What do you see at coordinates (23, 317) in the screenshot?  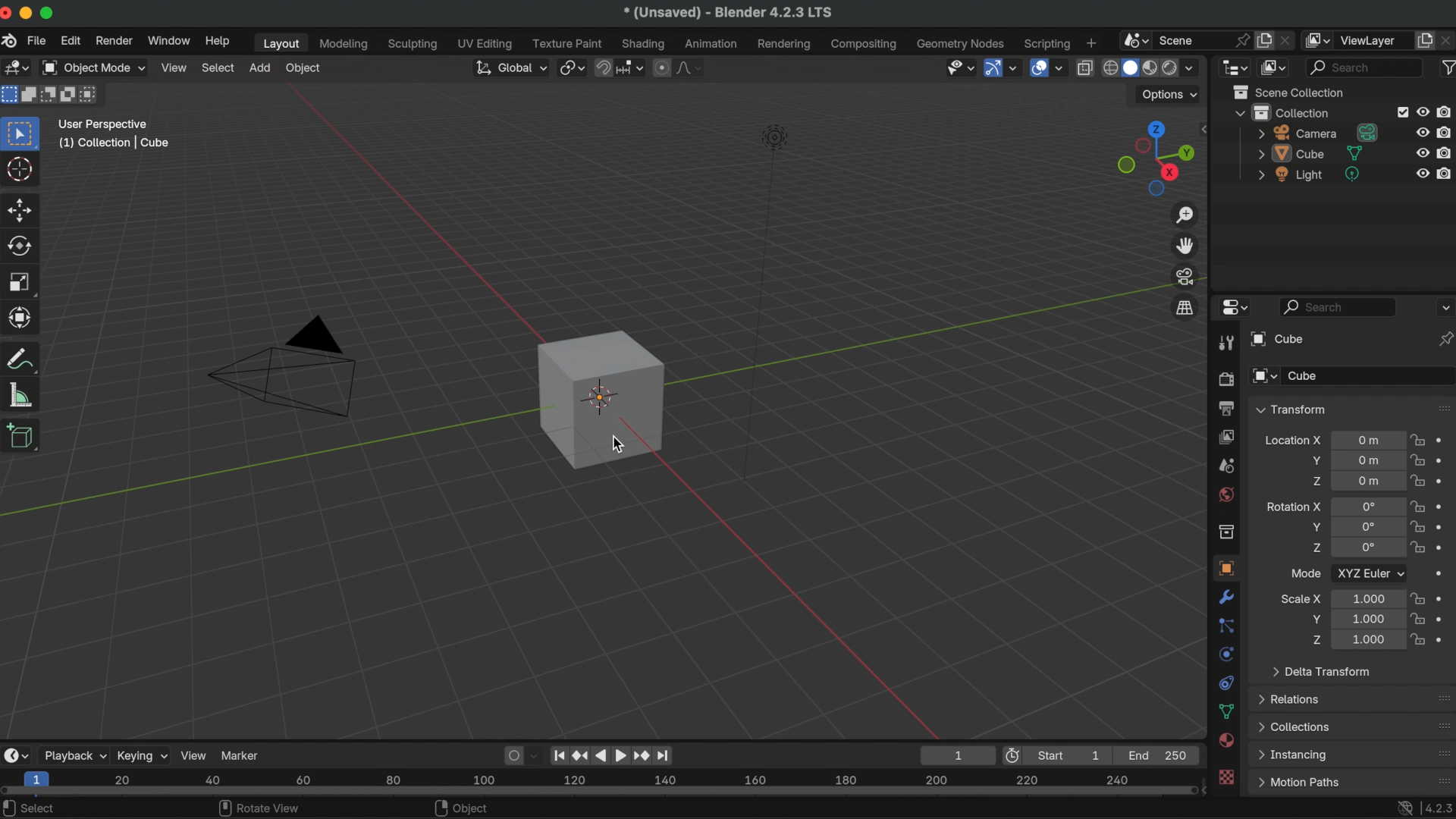 I see `scale` at bounding box center [23, 317].